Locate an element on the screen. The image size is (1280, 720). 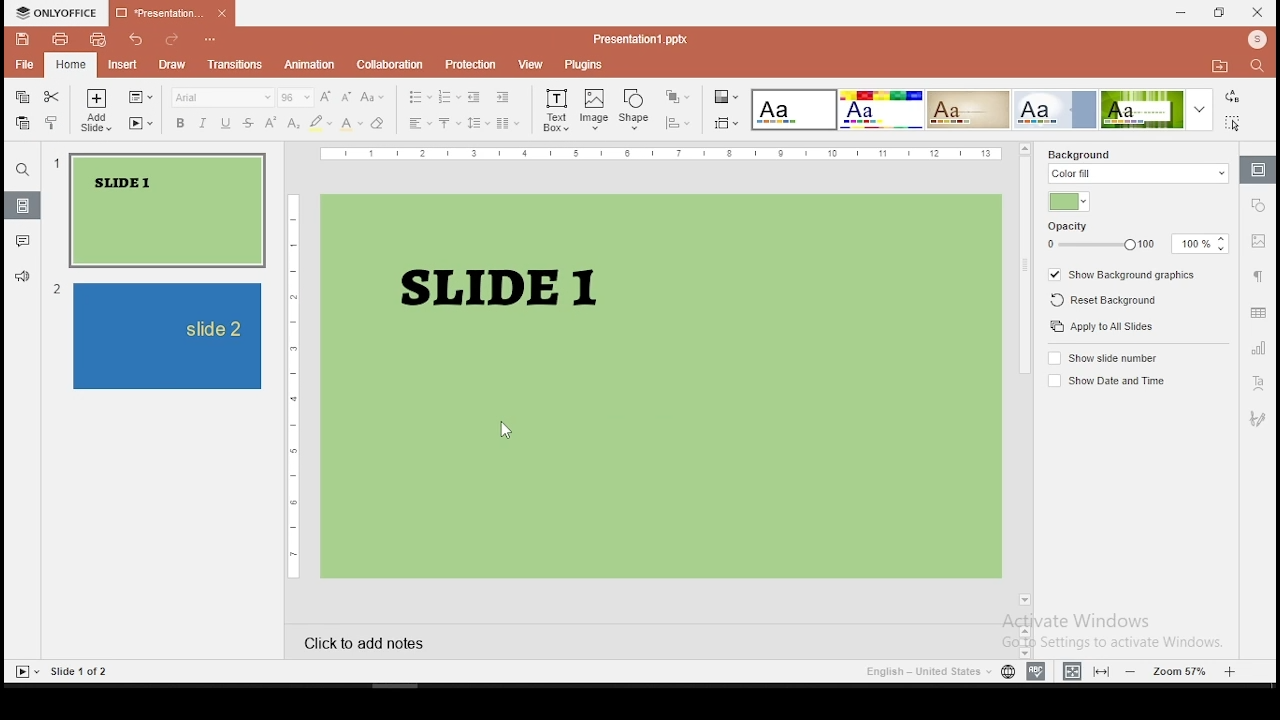
add slide is located at coordinates (96, 99).